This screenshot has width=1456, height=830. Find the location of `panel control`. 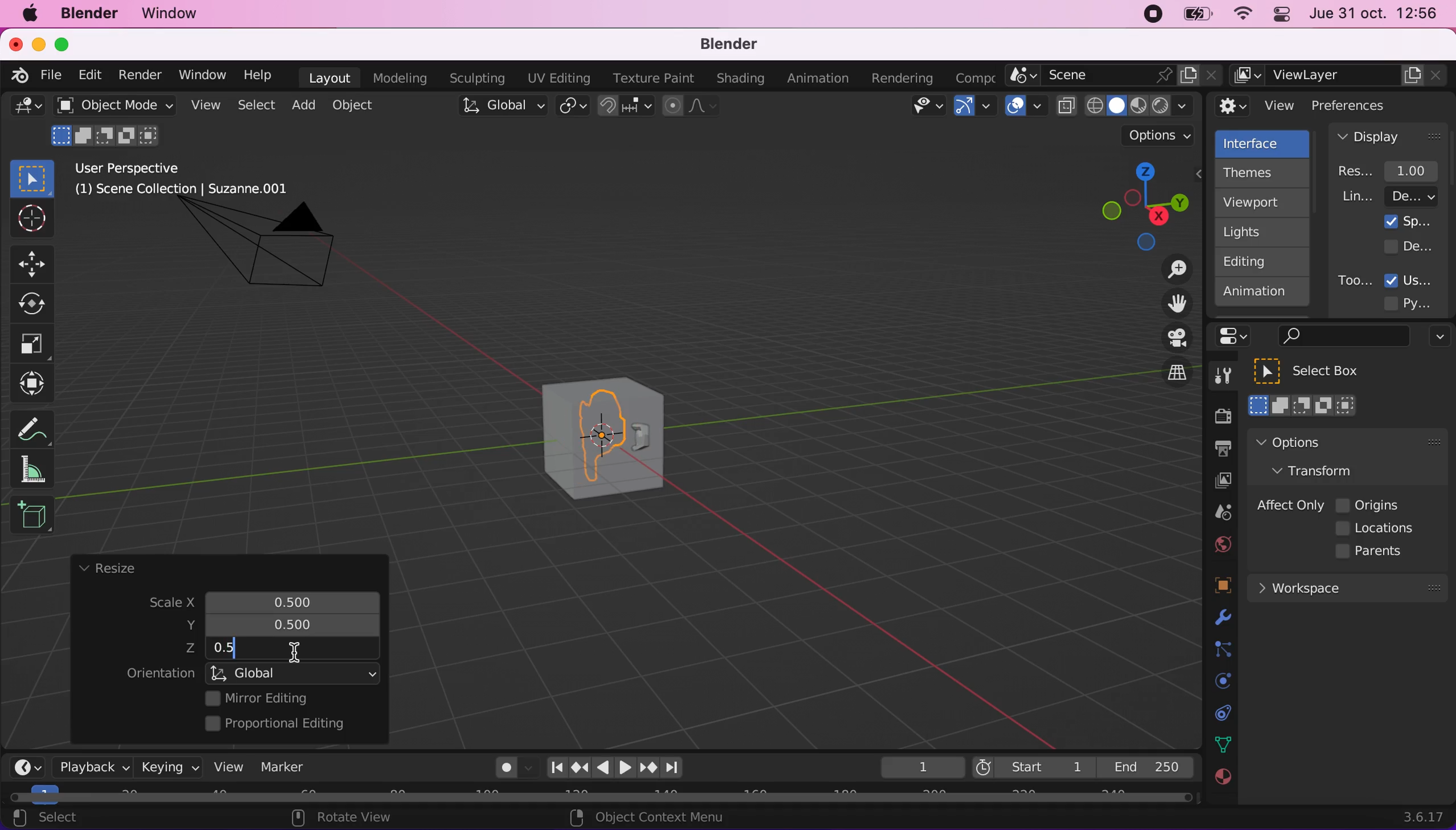

panel control is located at coordinates (1279, 16).